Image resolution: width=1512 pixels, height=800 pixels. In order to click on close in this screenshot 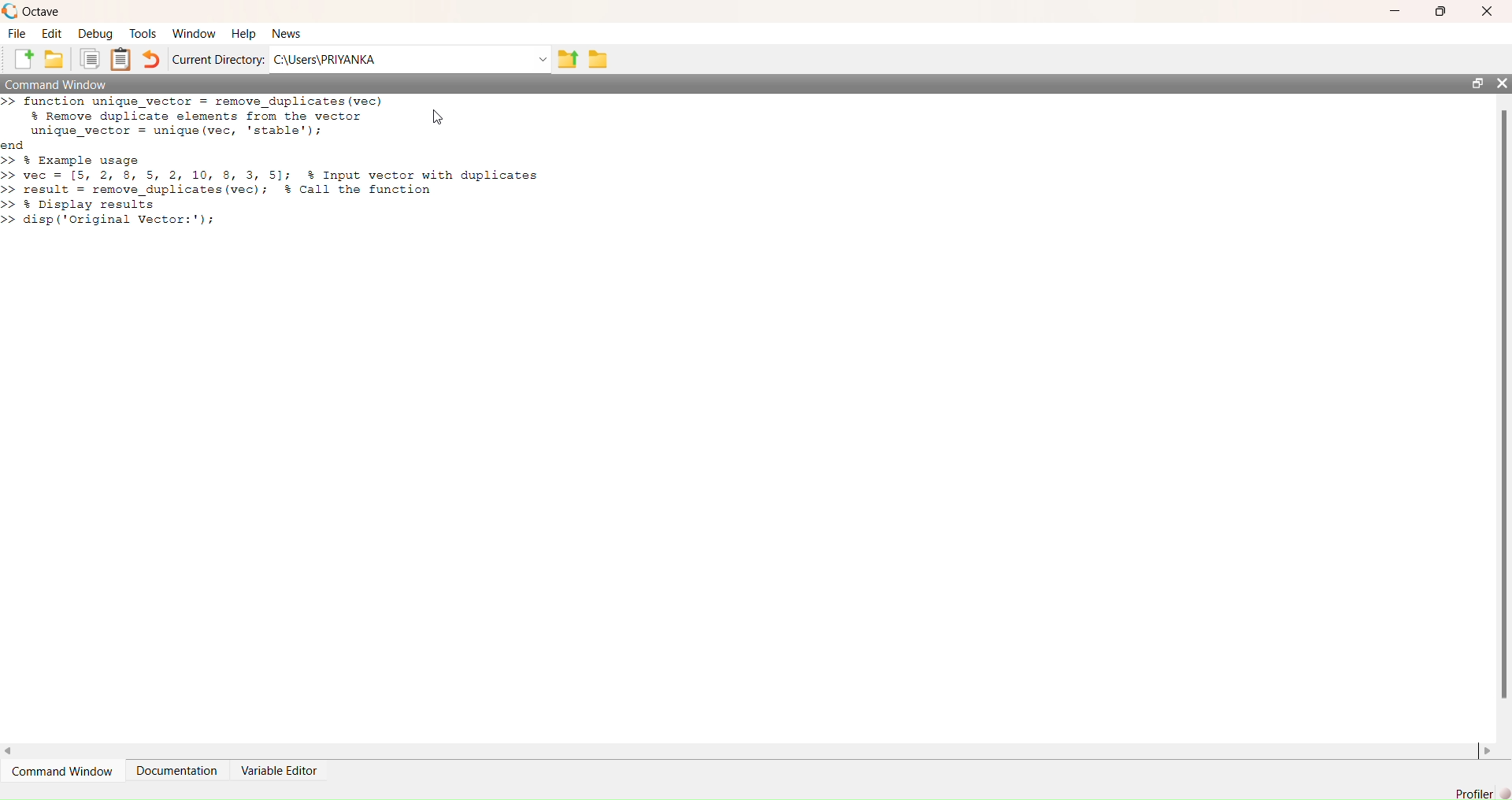, I will do `click(1501, 83)`.